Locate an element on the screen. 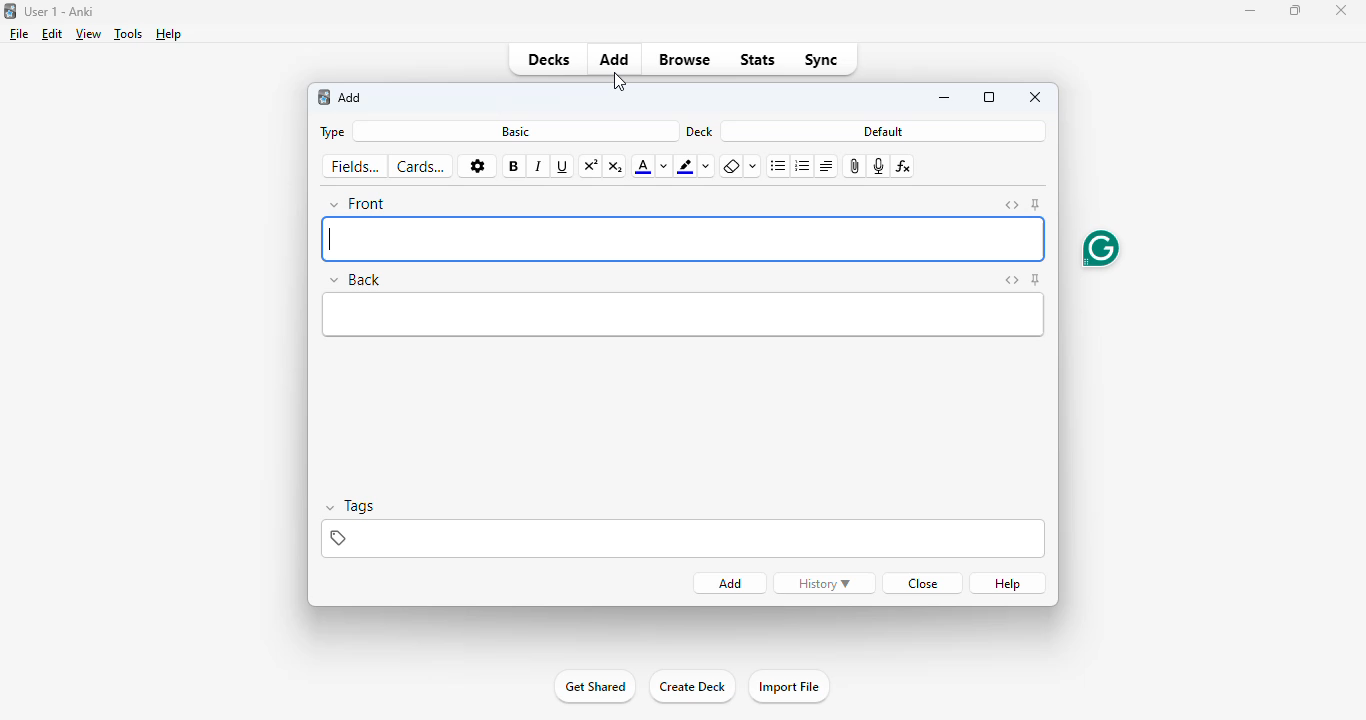  underline is located at coordinates (563, 167).